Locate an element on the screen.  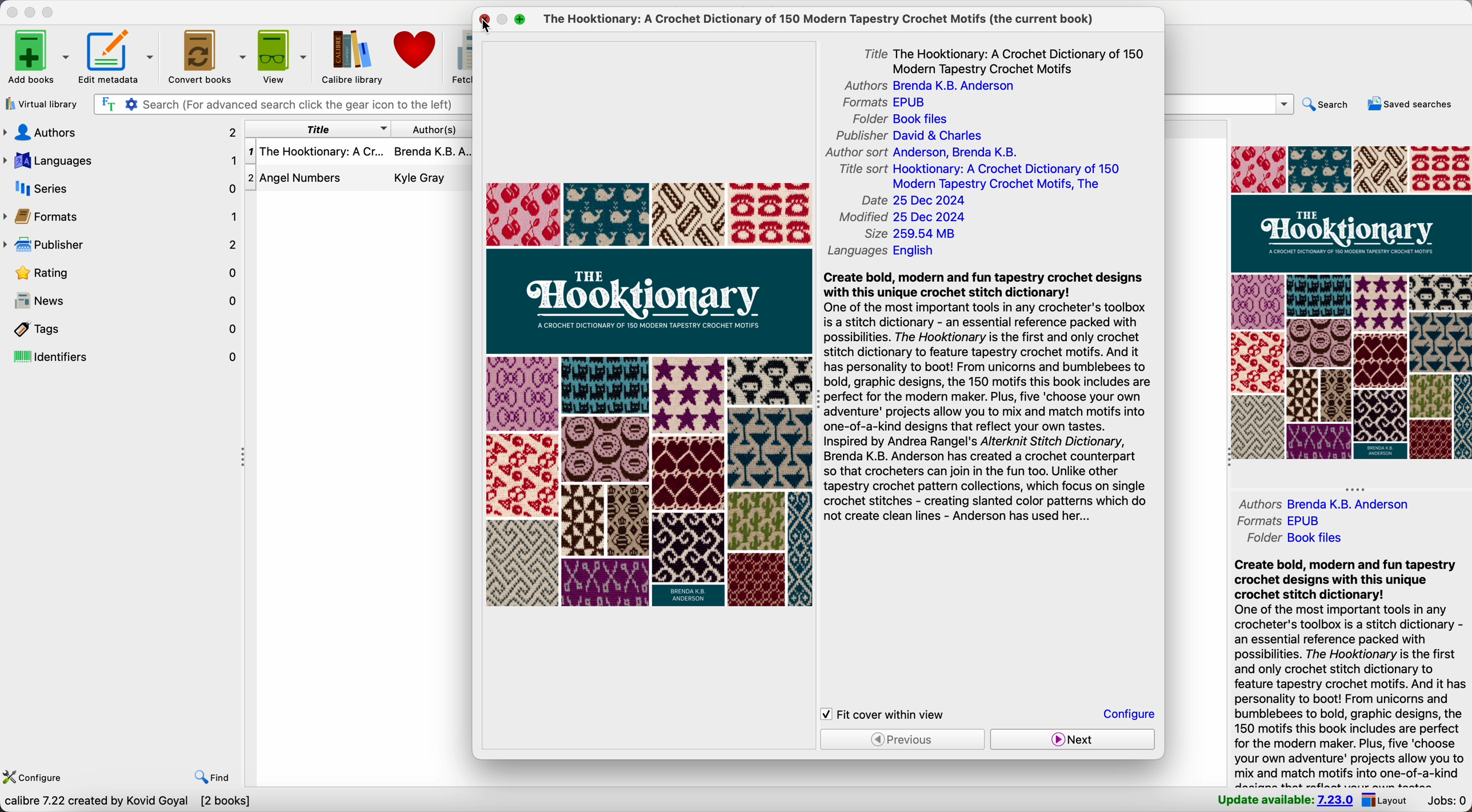
author(s) is located at coordinates (433, 129).